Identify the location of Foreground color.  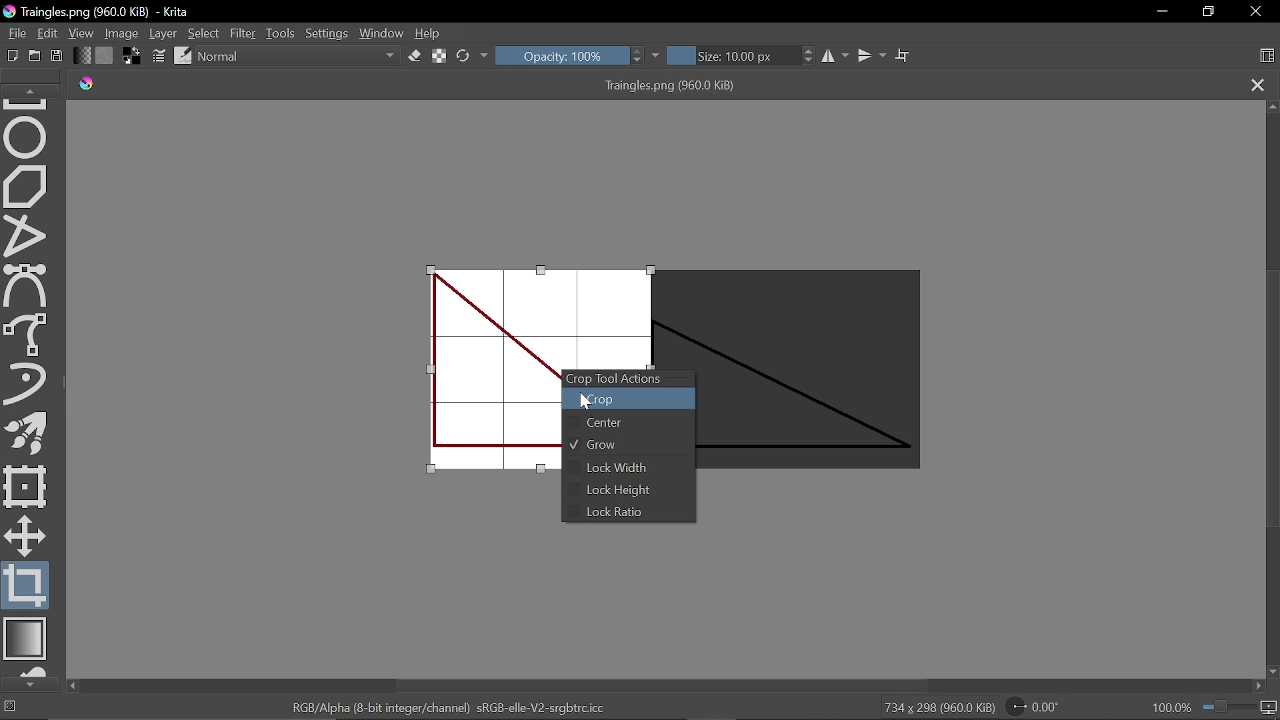
(133, 55).